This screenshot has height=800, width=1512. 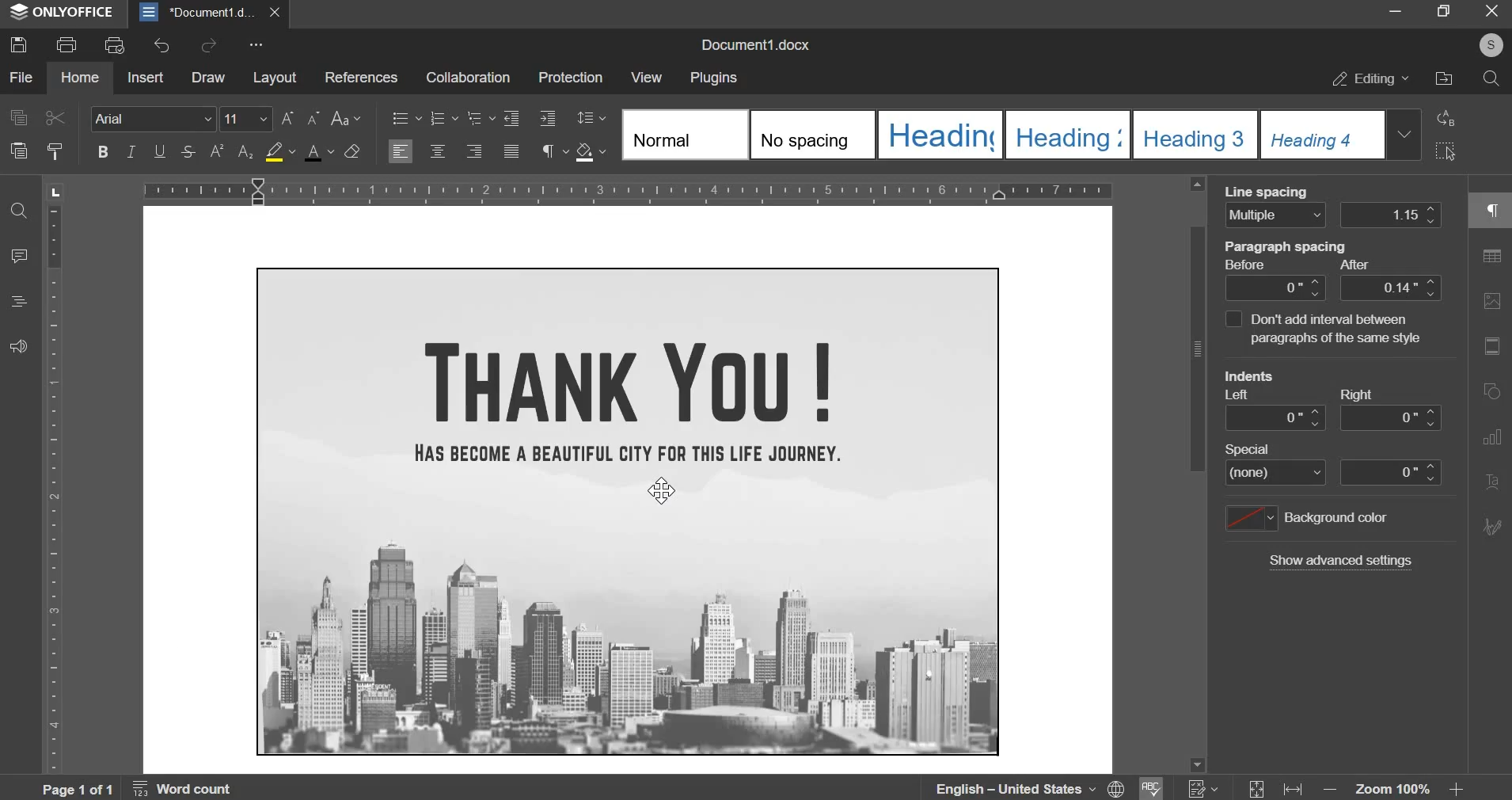 I want to click on headings, so click(x=16, y=303).